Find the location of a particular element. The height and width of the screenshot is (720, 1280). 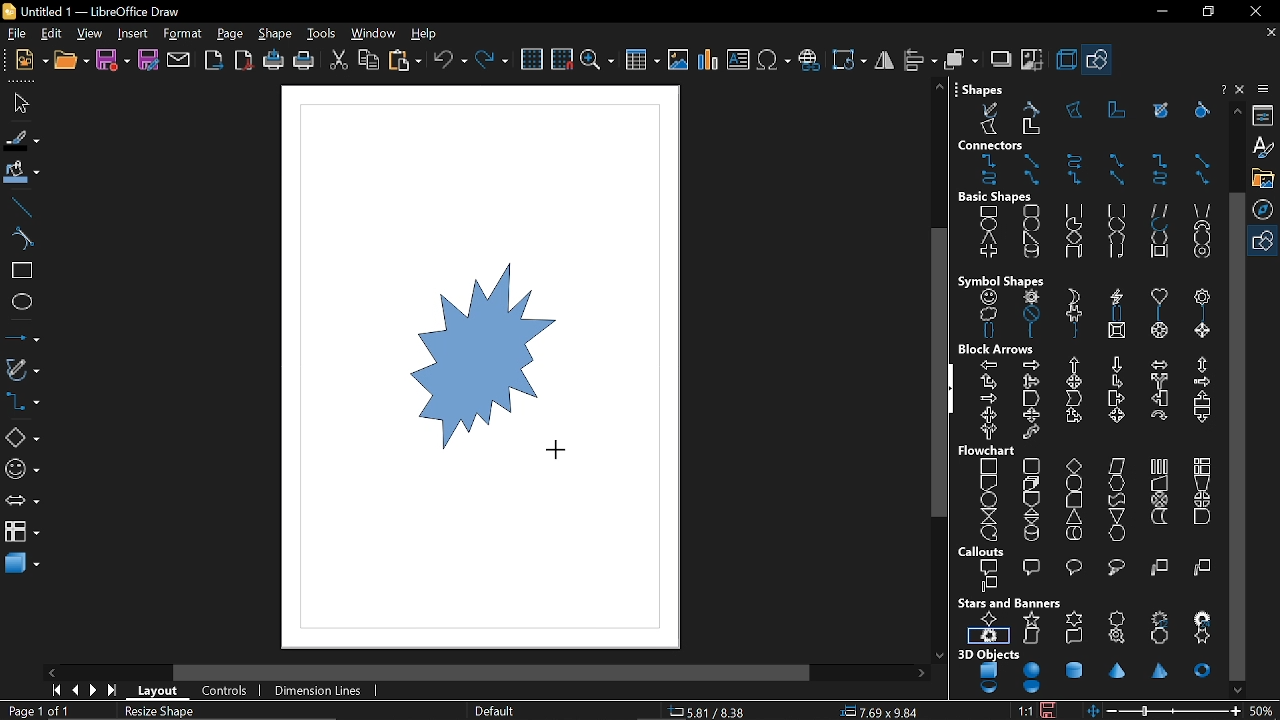

Connectors is located at coordinates (1087, 163).